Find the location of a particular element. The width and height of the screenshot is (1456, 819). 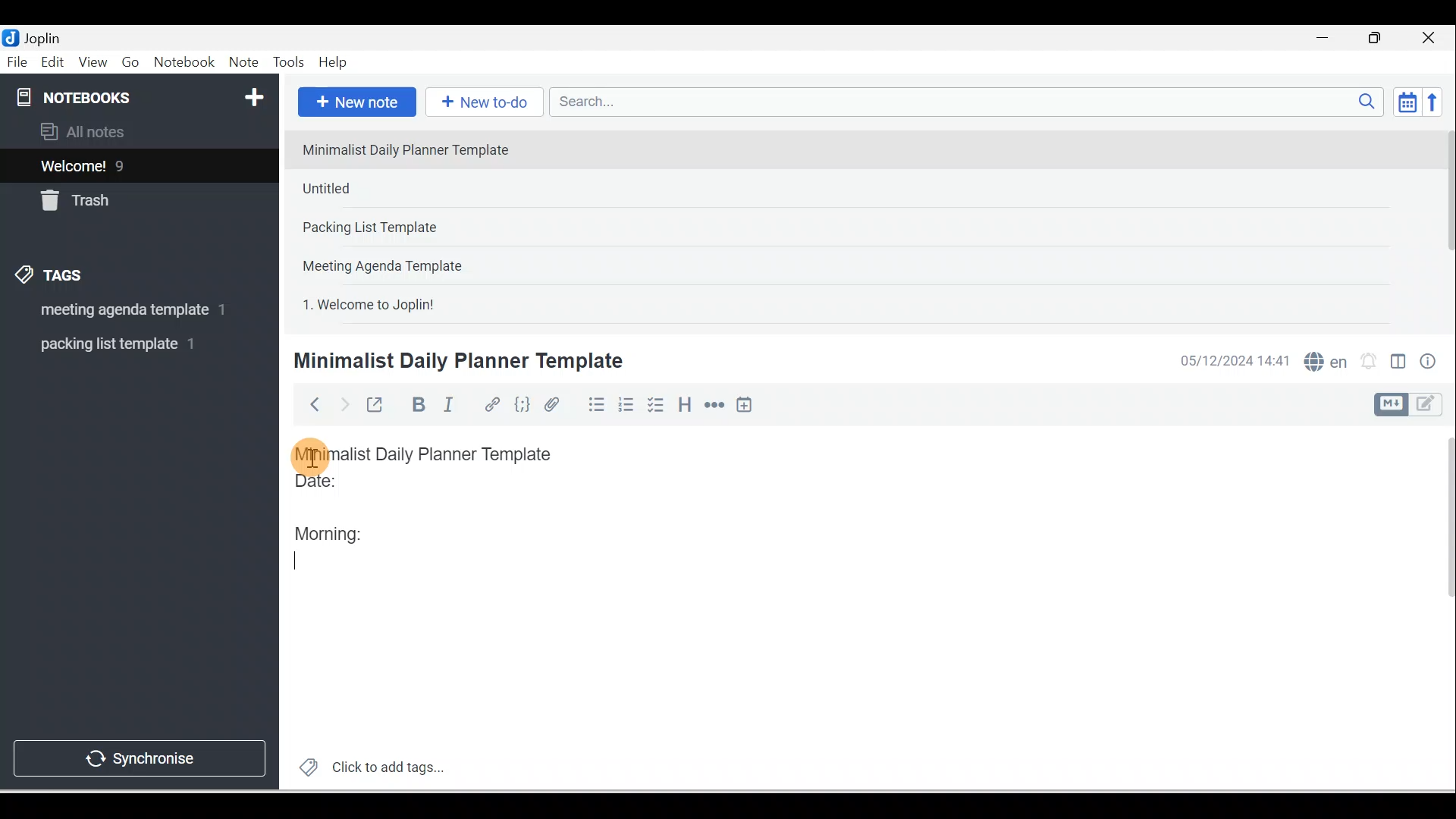

All notes is located at coordinates (137, 131).